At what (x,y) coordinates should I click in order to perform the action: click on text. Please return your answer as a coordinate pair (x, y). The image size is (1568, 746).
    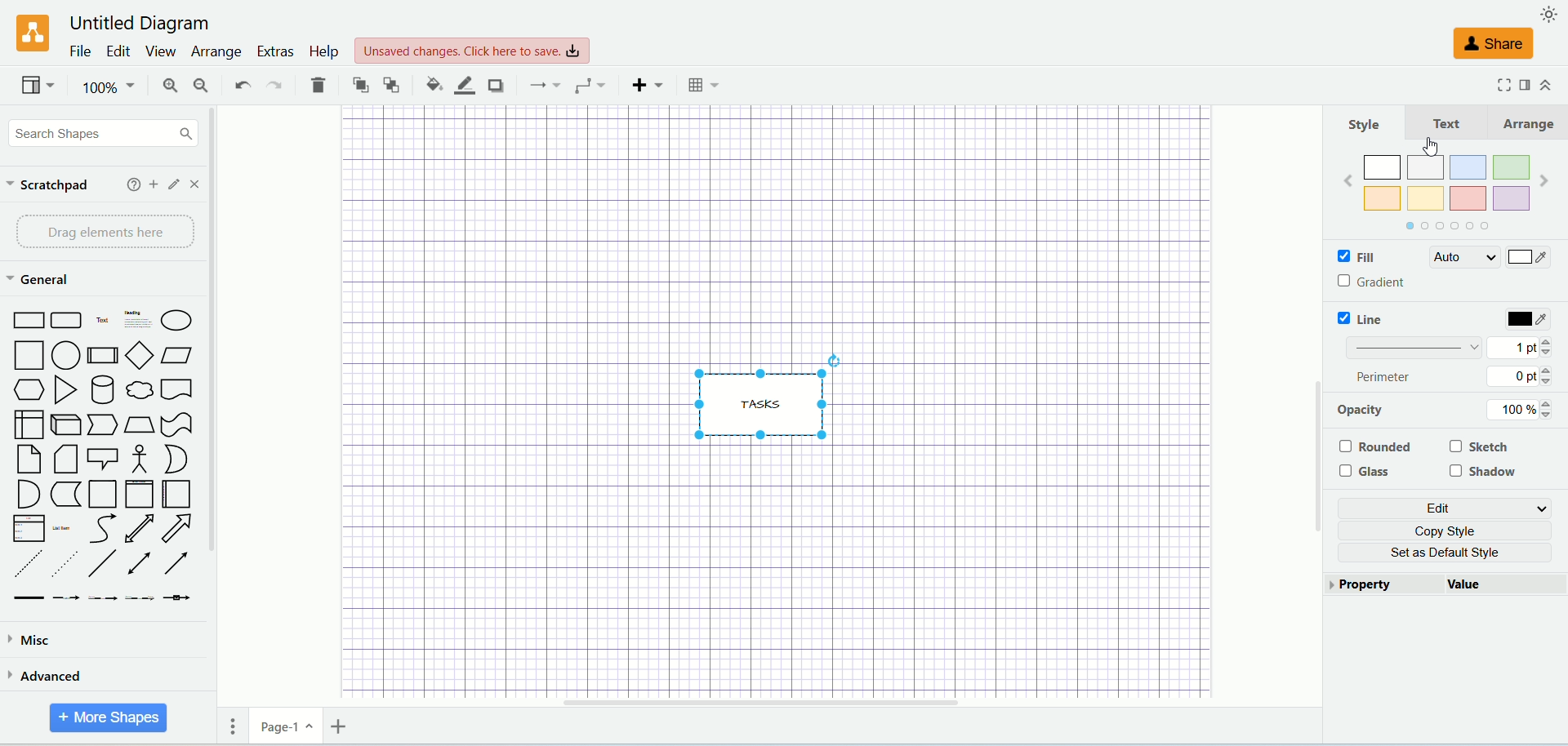
    Looking at the image, I should click on (1445, 123).